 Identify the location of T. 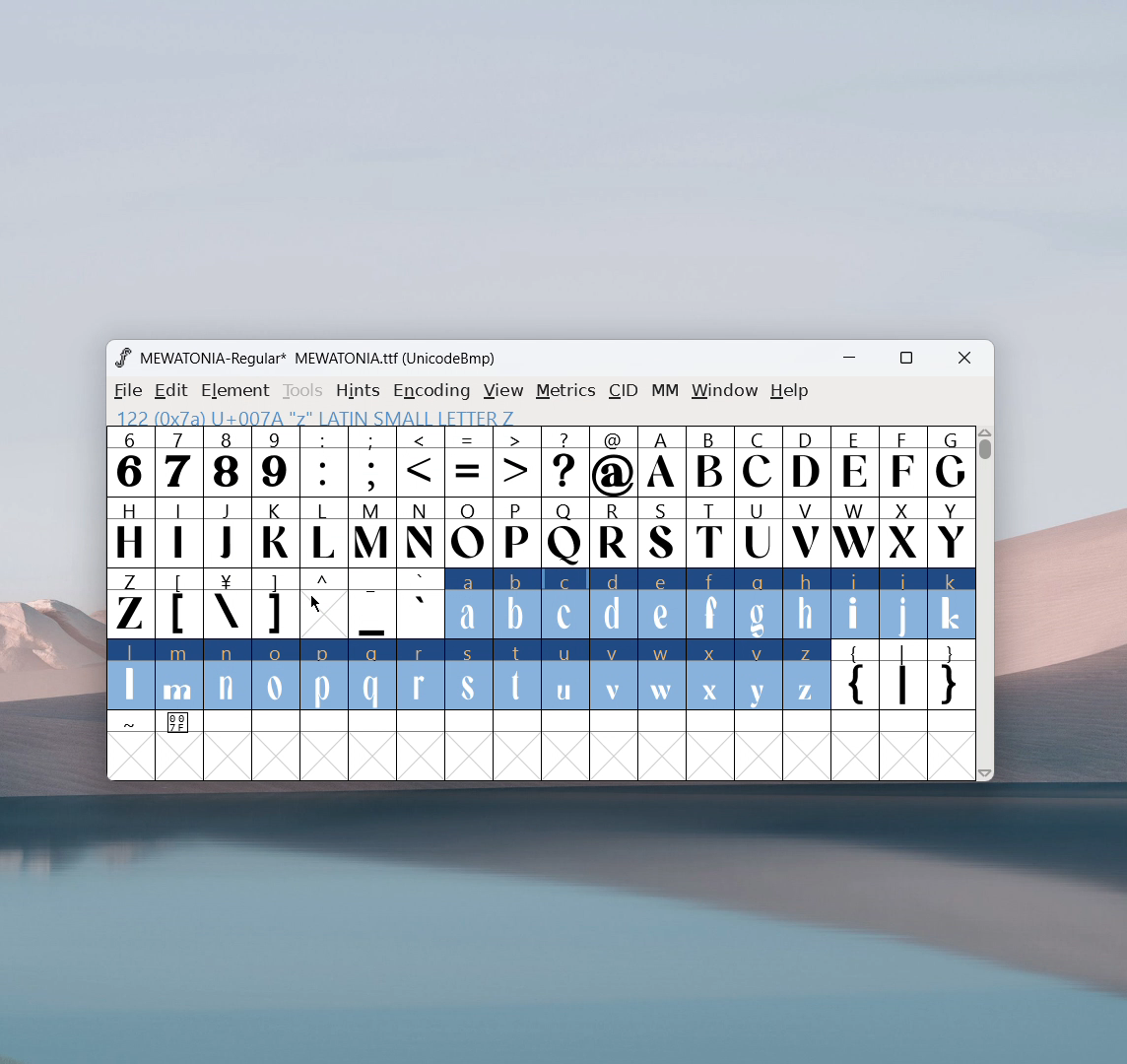
(711, 533).